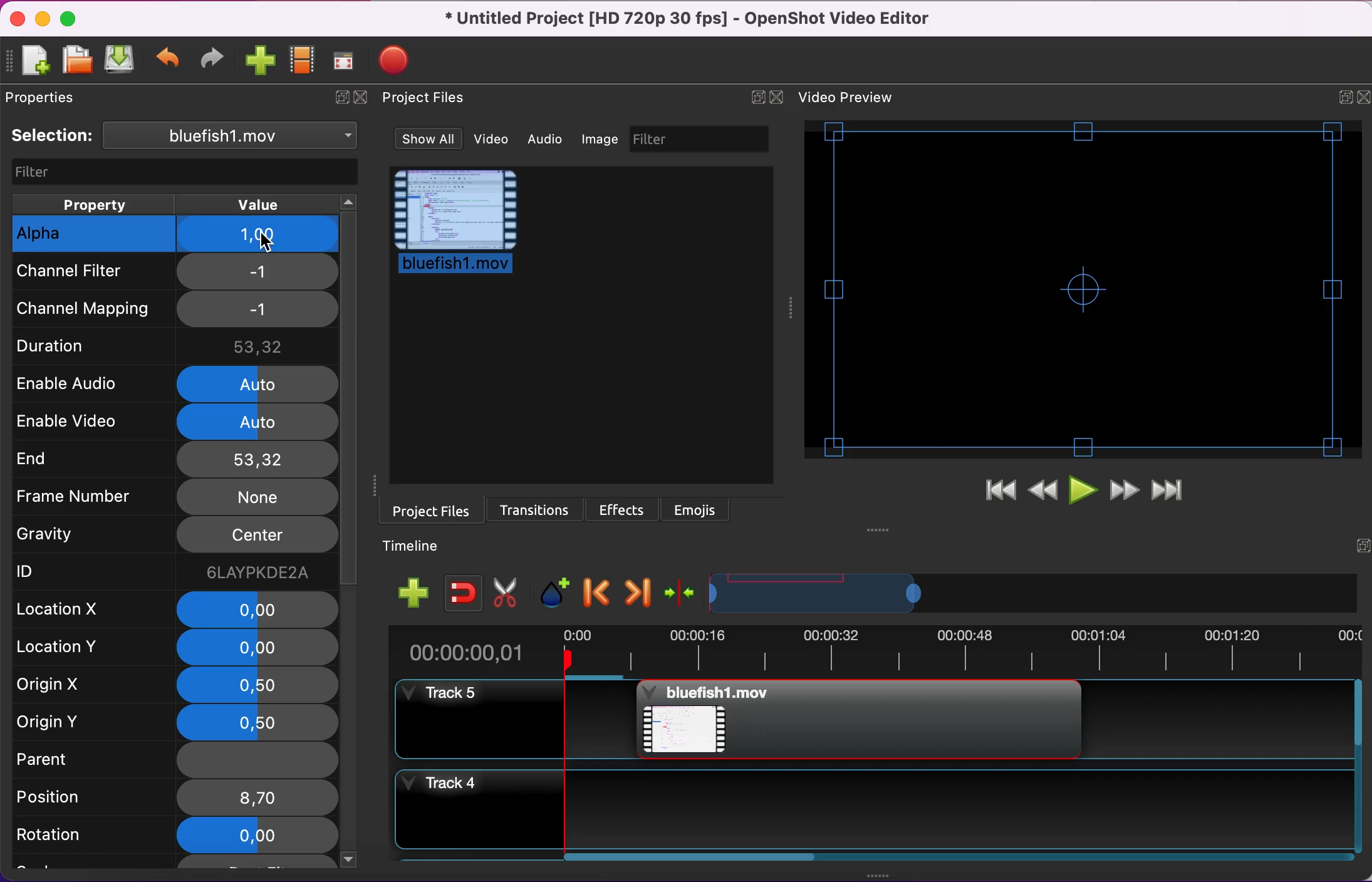  Describe the element at coordinates (1044, 490) in the screenshot. I see `rewind` at that location.